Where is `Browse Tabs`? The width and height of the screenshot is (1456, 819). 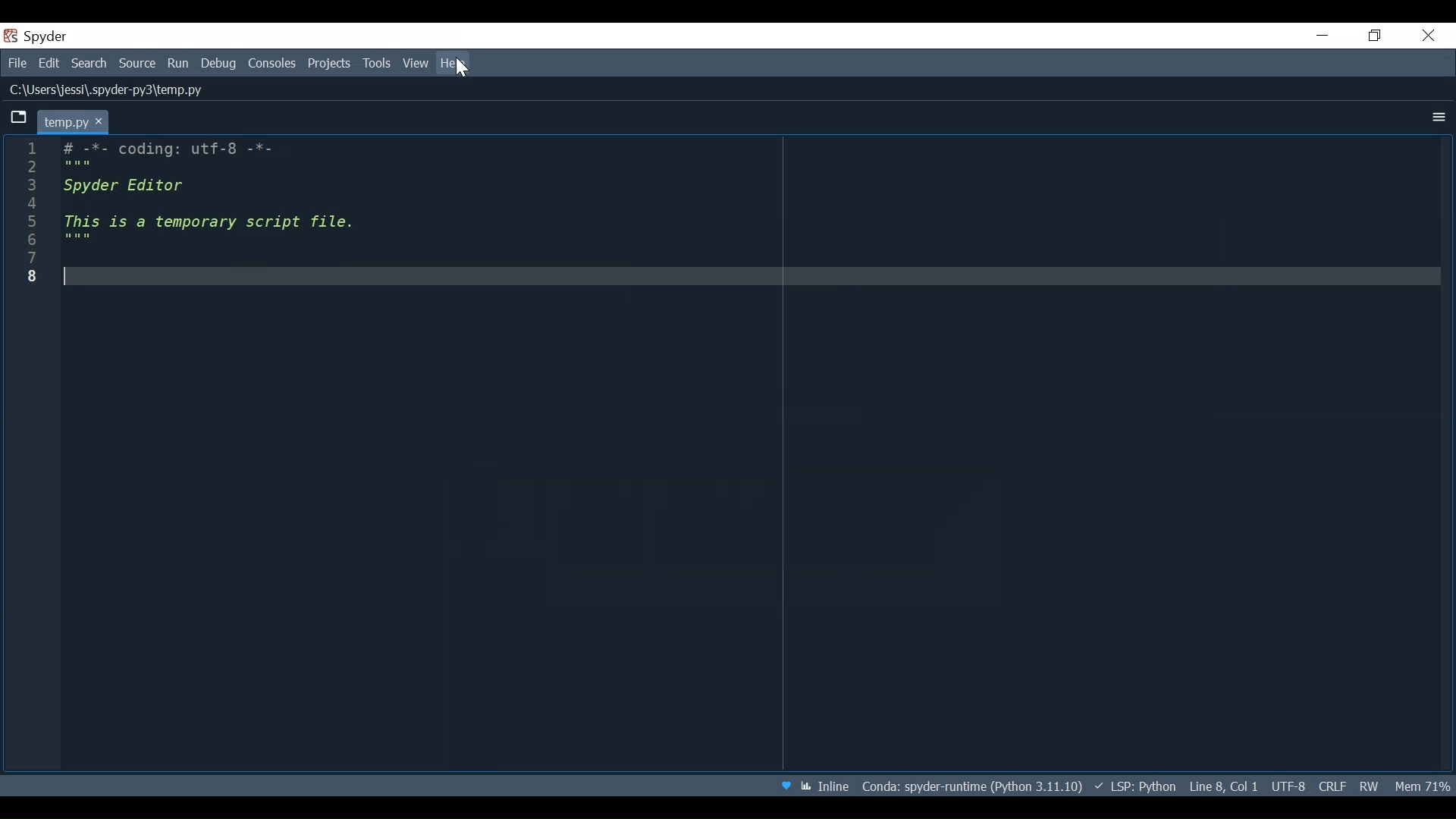
Browse Tabs is located at coordinates (17, 119).